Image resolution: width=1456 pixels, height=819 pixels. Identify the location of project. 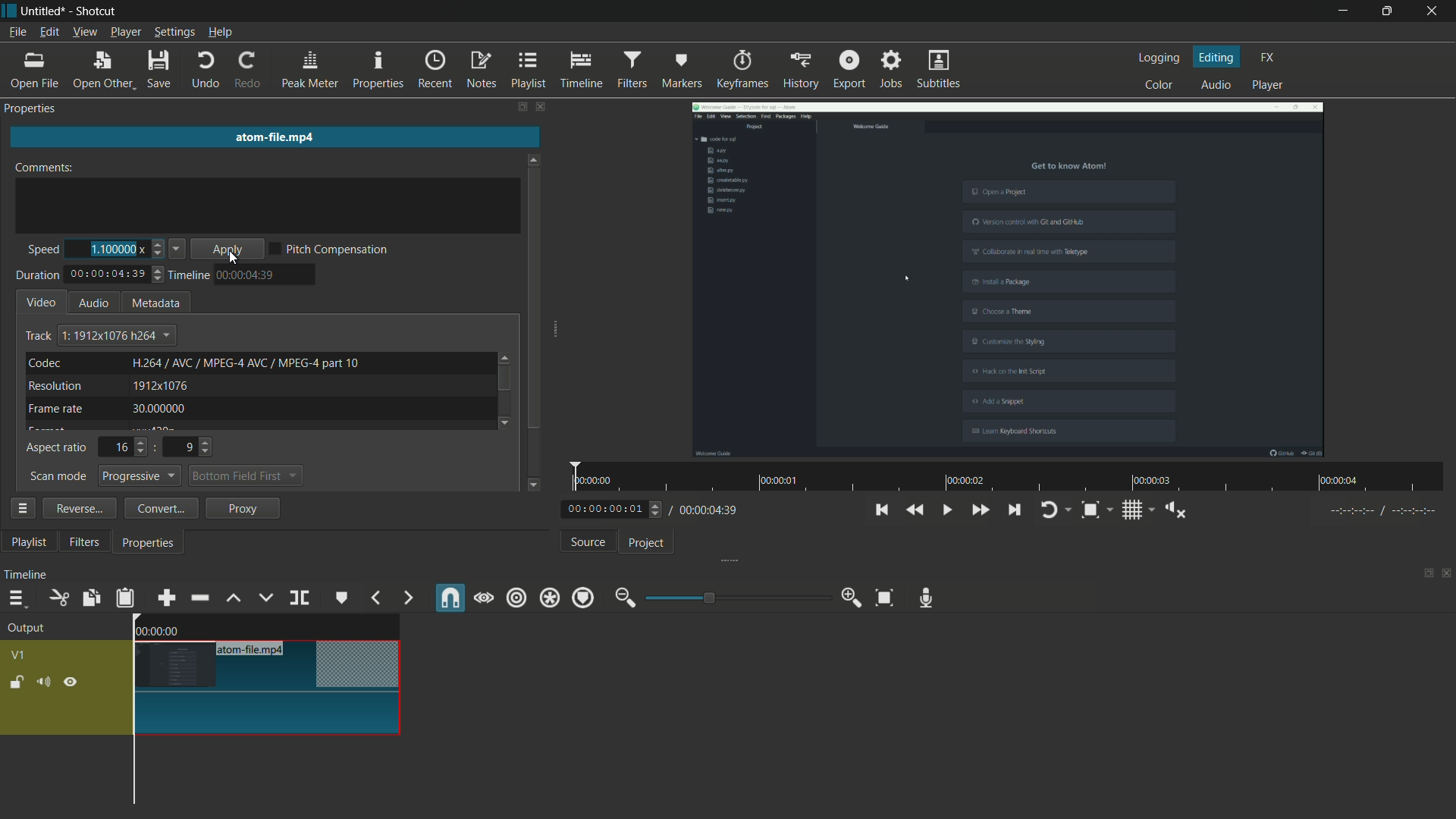
(647, 543).